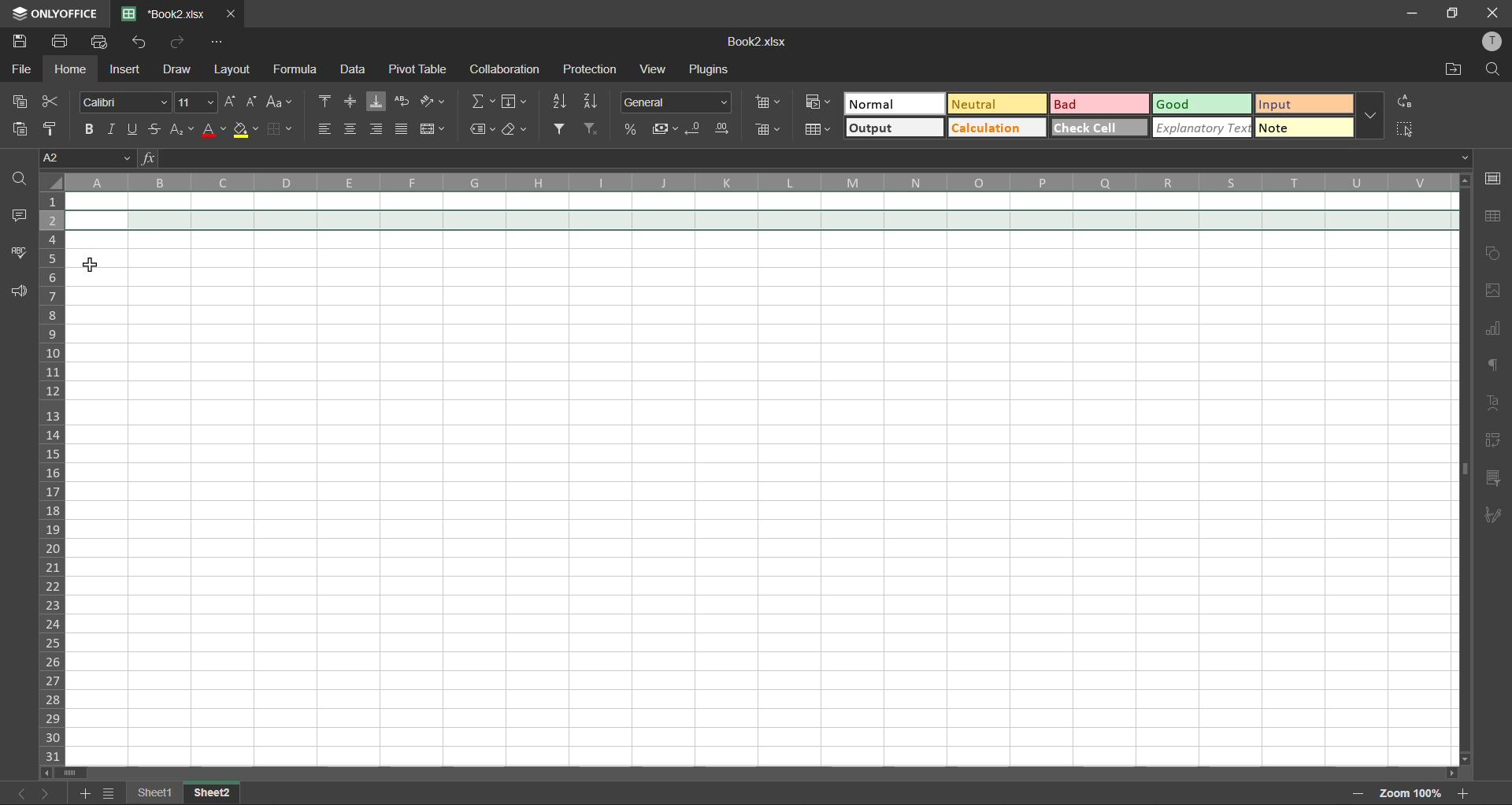 Image resolution: width=1512 pixels, height=805 pixels. I want to click on underline, so click(135, 127).